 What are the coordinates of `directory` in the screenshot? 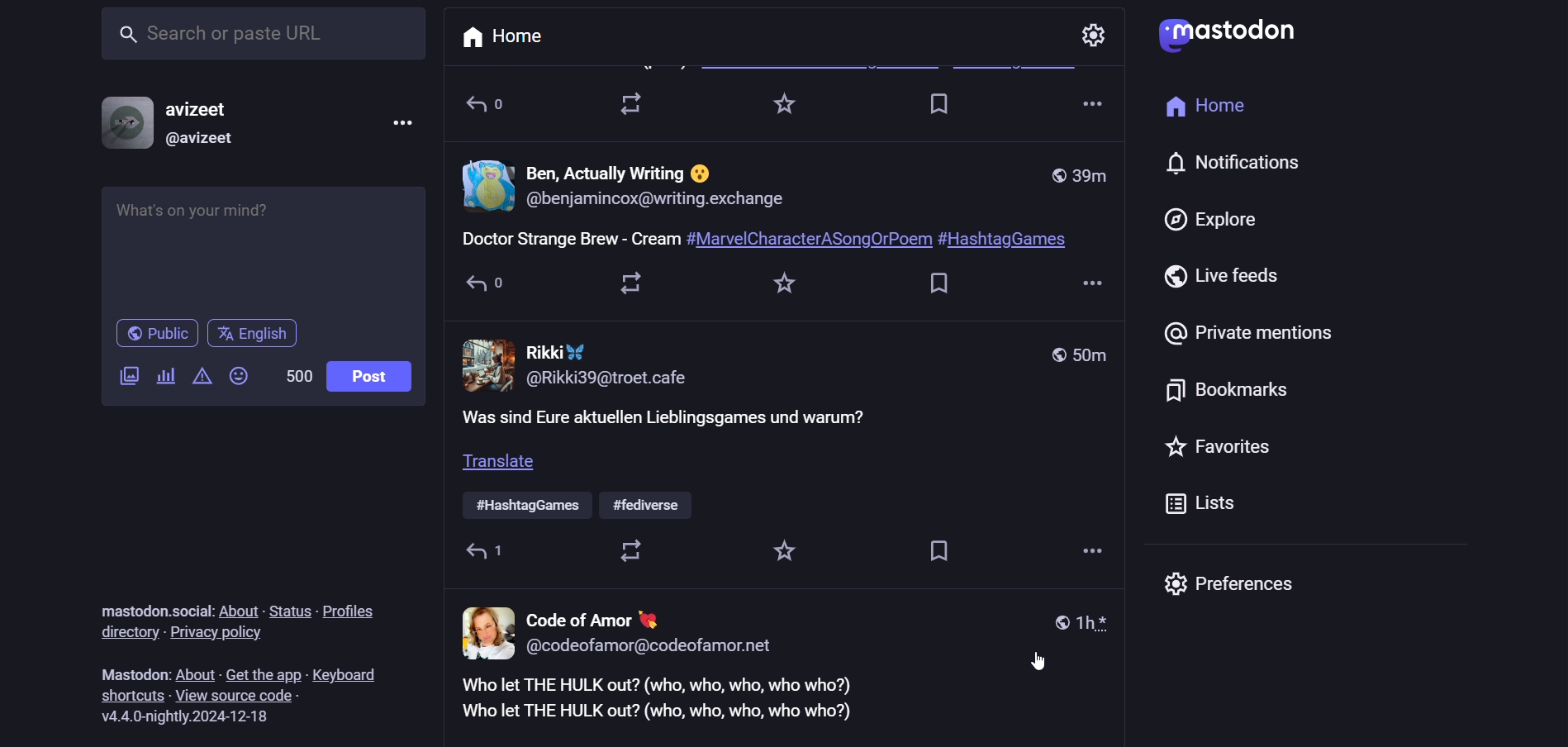 It's located at (125, 633).